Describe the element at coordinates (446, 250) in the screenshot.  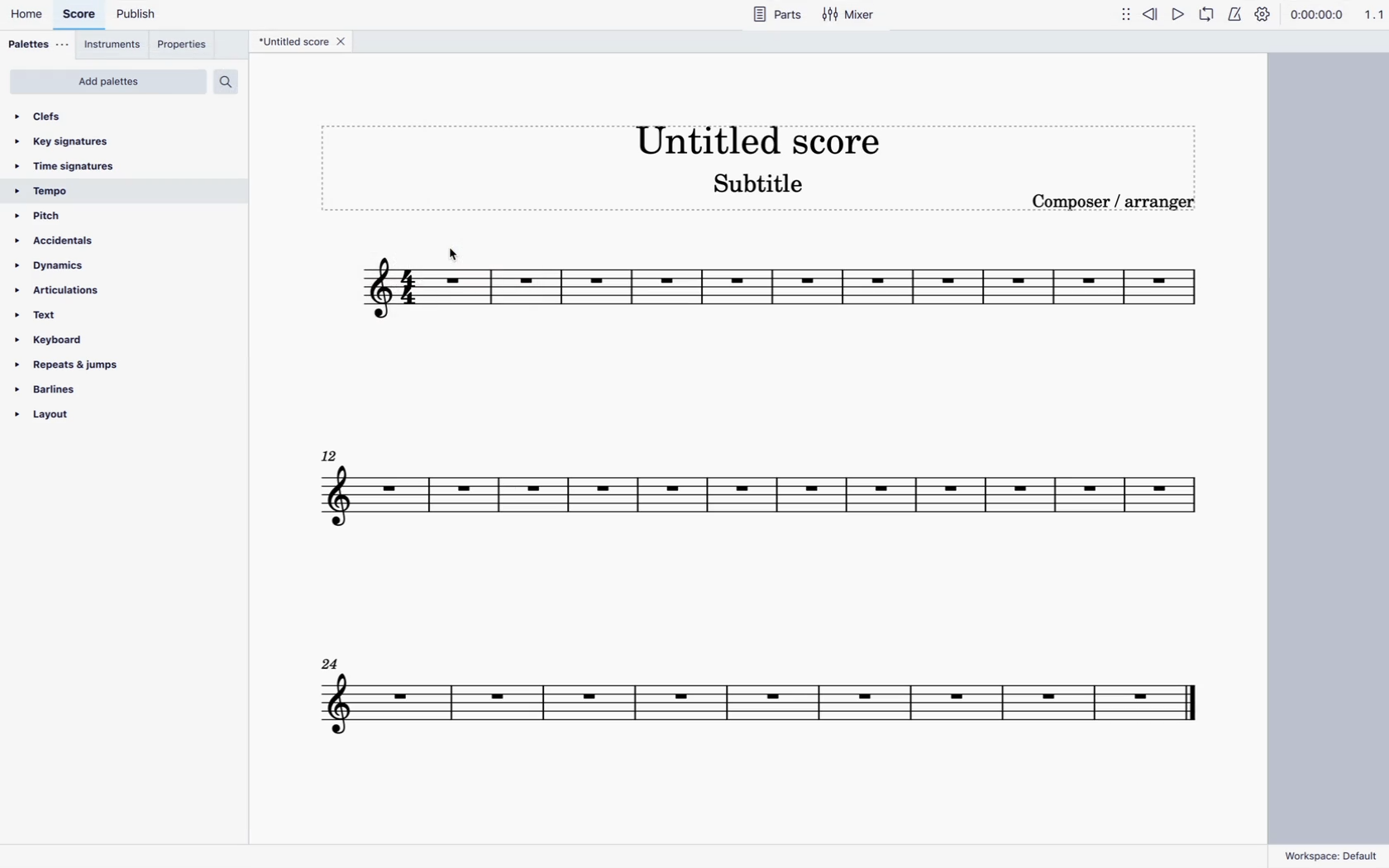
I see `cursor` at that location.